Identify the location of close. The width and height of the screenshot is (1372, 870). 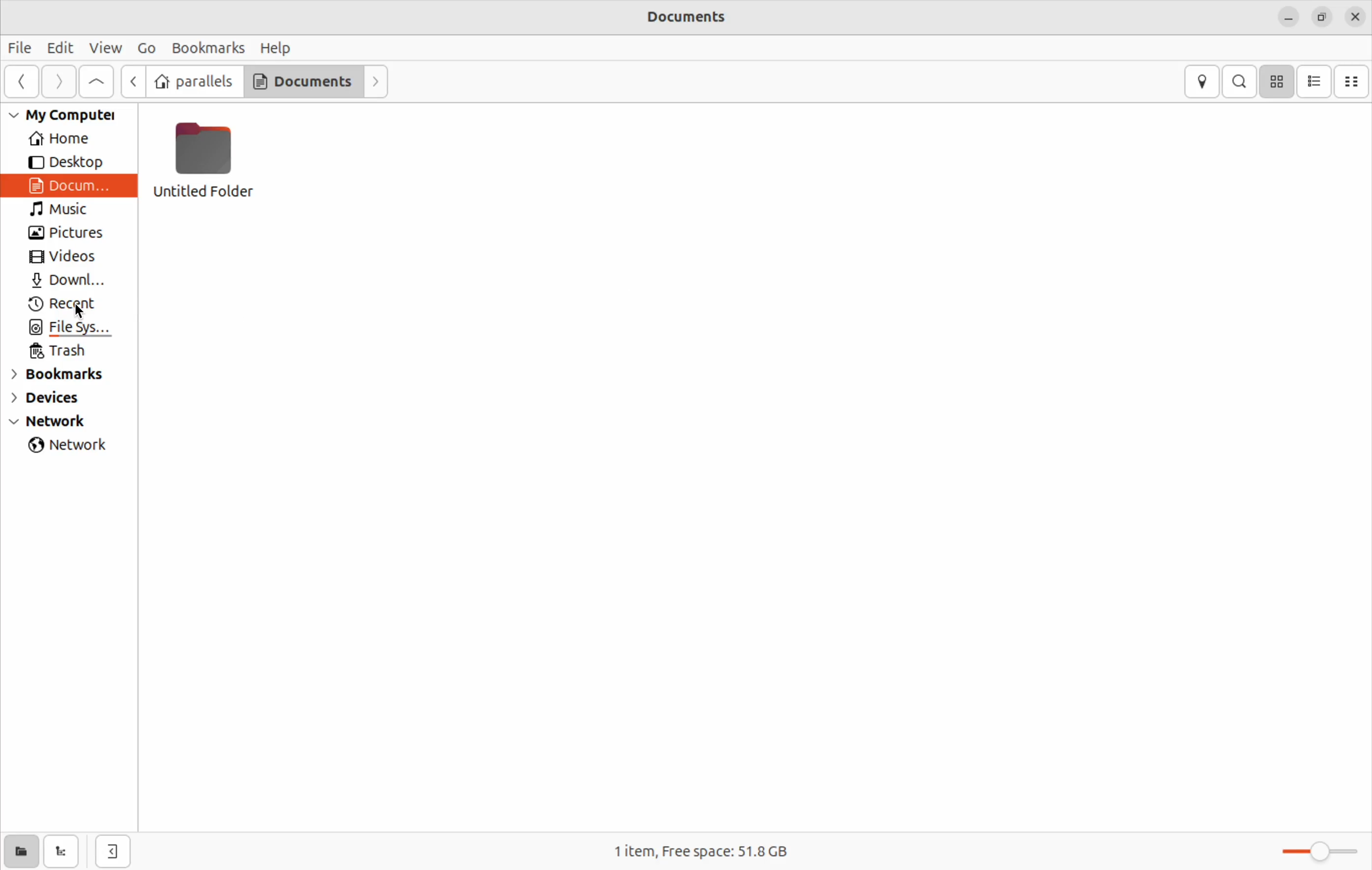
(1355, 15).